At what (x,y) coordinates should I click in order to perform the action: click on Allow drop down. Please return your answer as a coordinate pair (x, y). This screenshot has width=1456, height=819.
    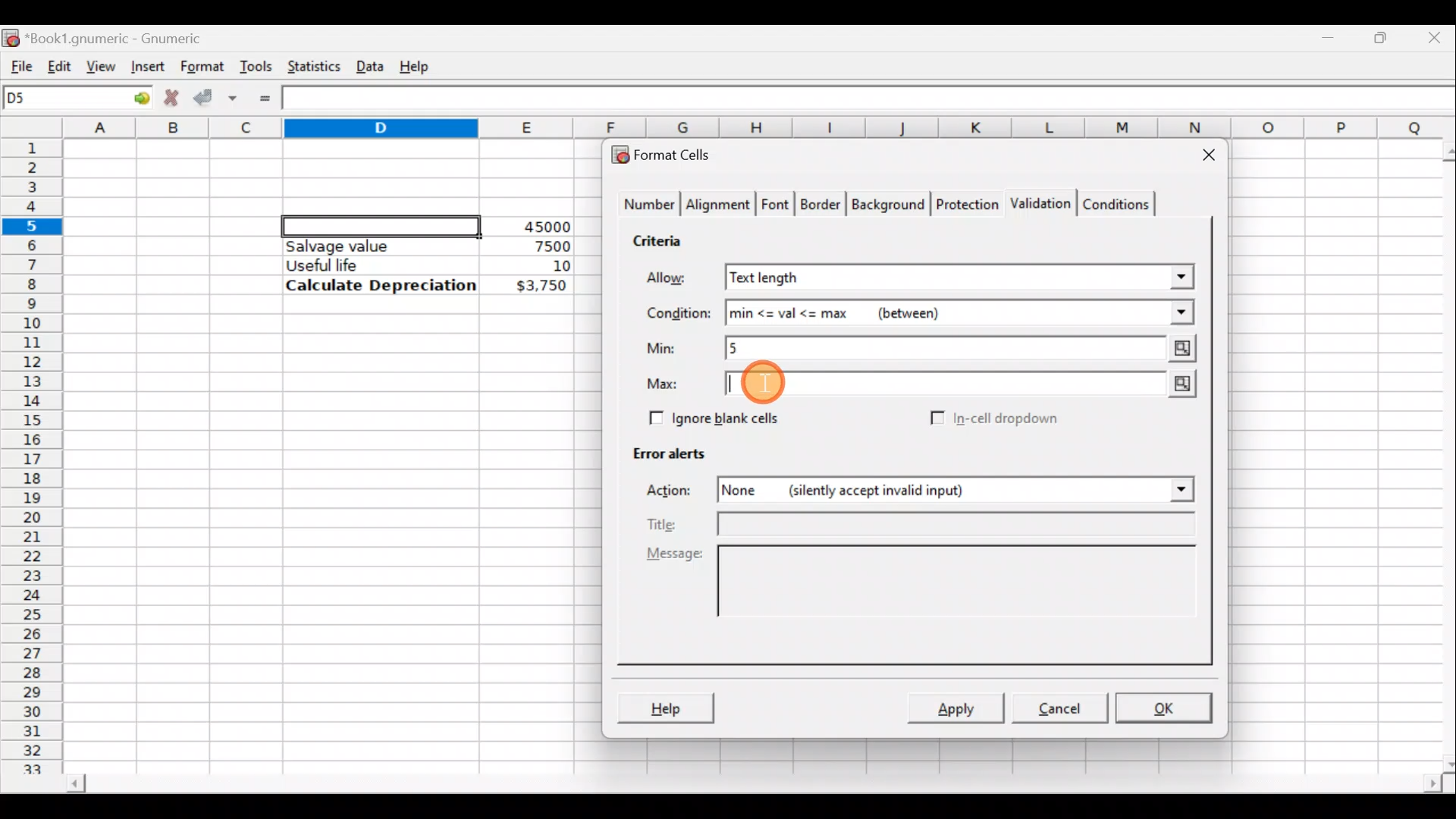
    Looking at the image, I should click on (1180, 275).